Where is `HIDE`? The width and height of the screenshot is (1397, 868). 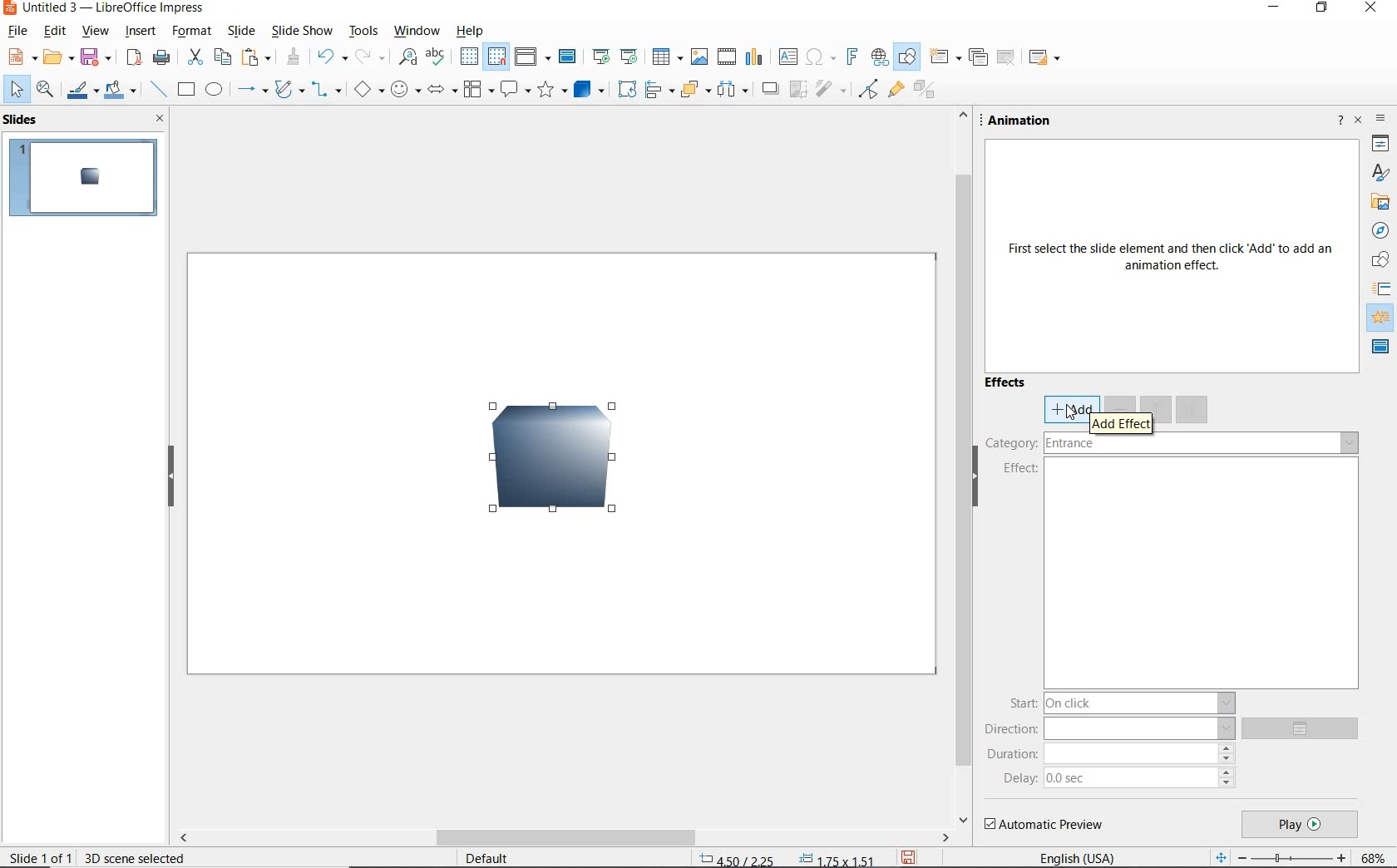
HIDE is located at coordinates (982, 486).